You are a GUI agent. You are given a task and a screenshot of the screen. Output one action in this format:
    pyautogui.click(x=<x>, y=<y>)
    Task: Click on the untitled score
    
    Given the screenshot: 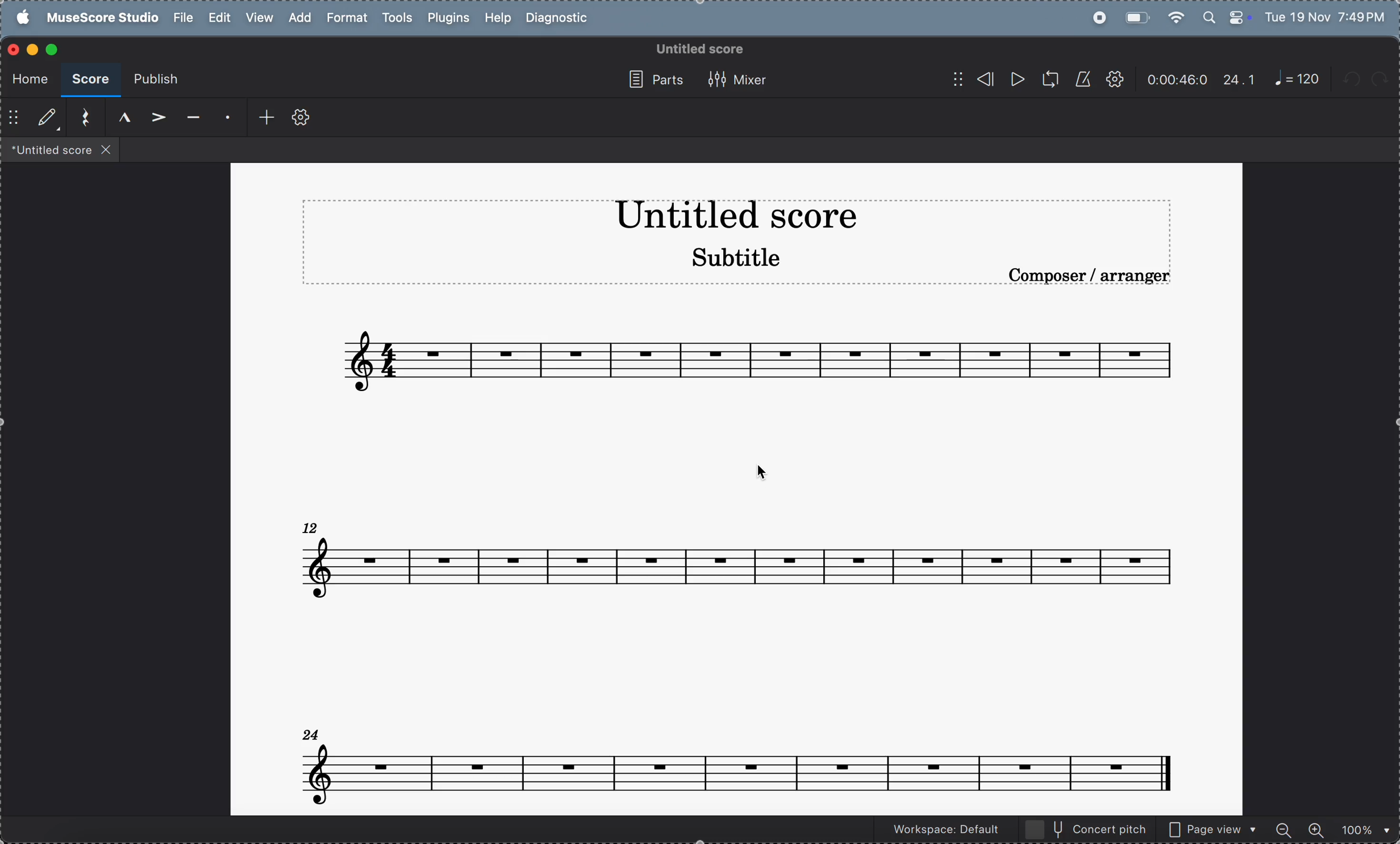 What is the action you would take?
    pyautogui.click(x=698, y=49)
    